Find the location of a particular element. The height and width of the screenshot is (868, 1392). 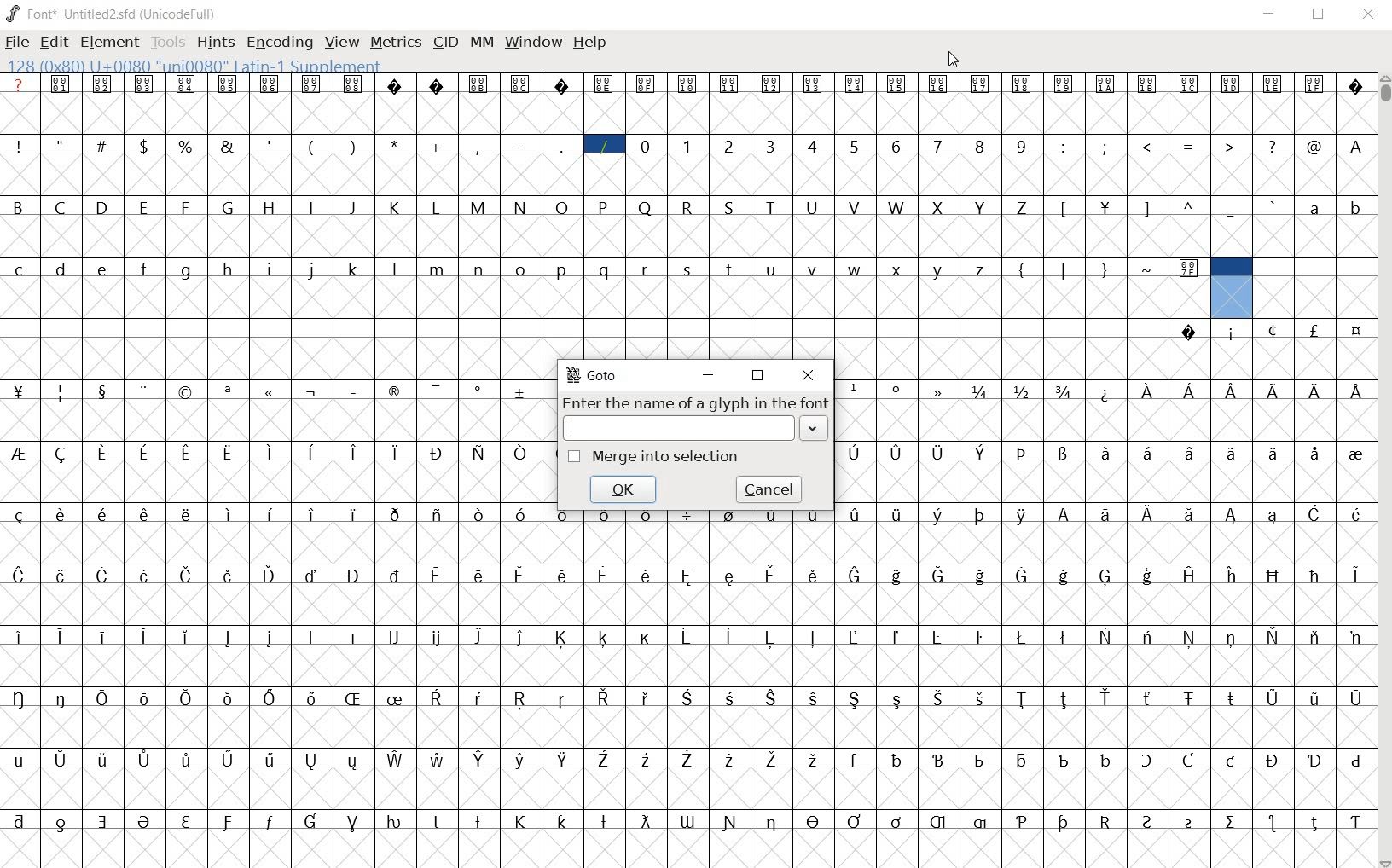

Symbol is located at coordinates (1189, 821).